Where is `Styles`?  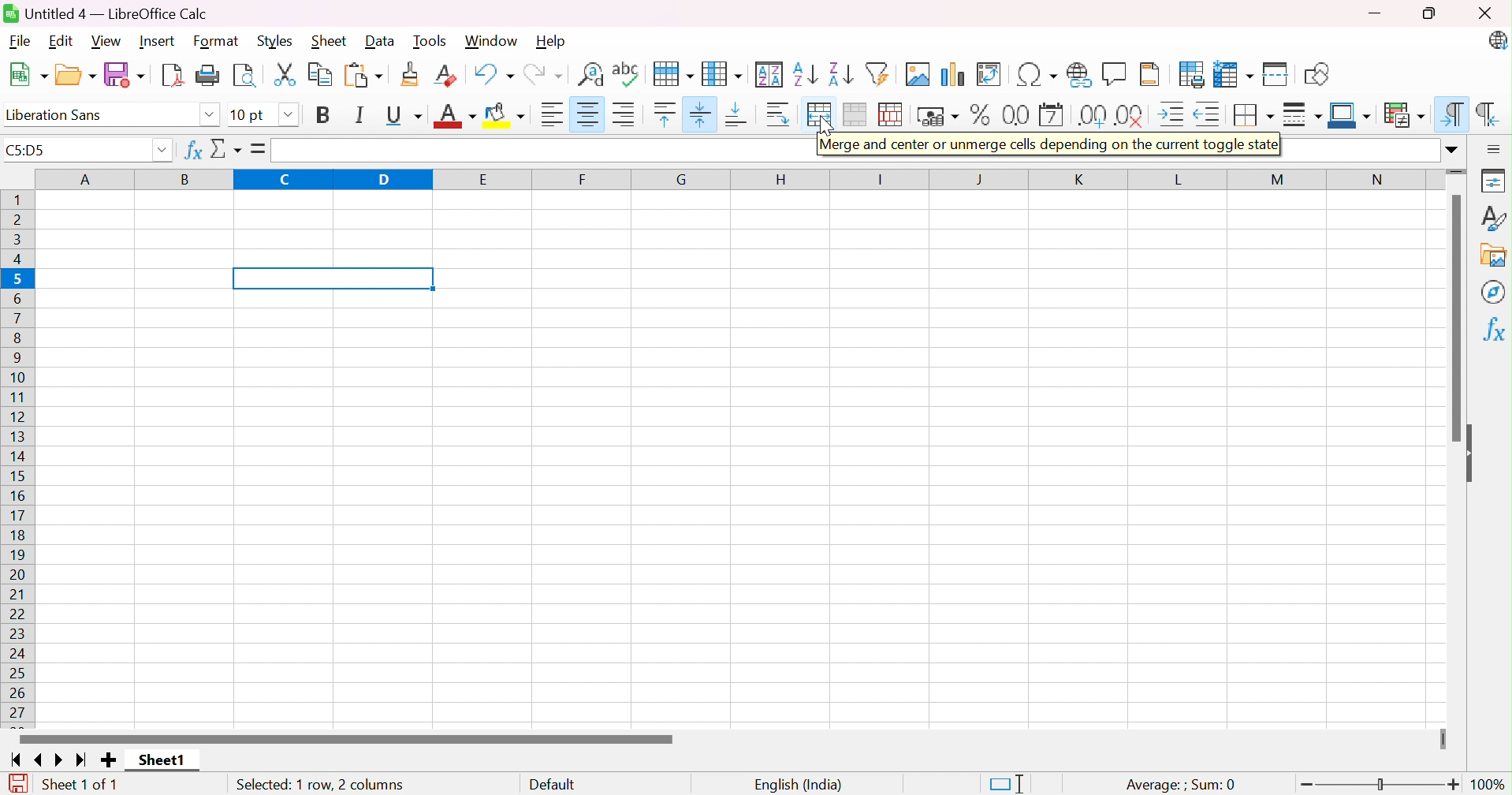
Styles is located at coordinates (275, 42).